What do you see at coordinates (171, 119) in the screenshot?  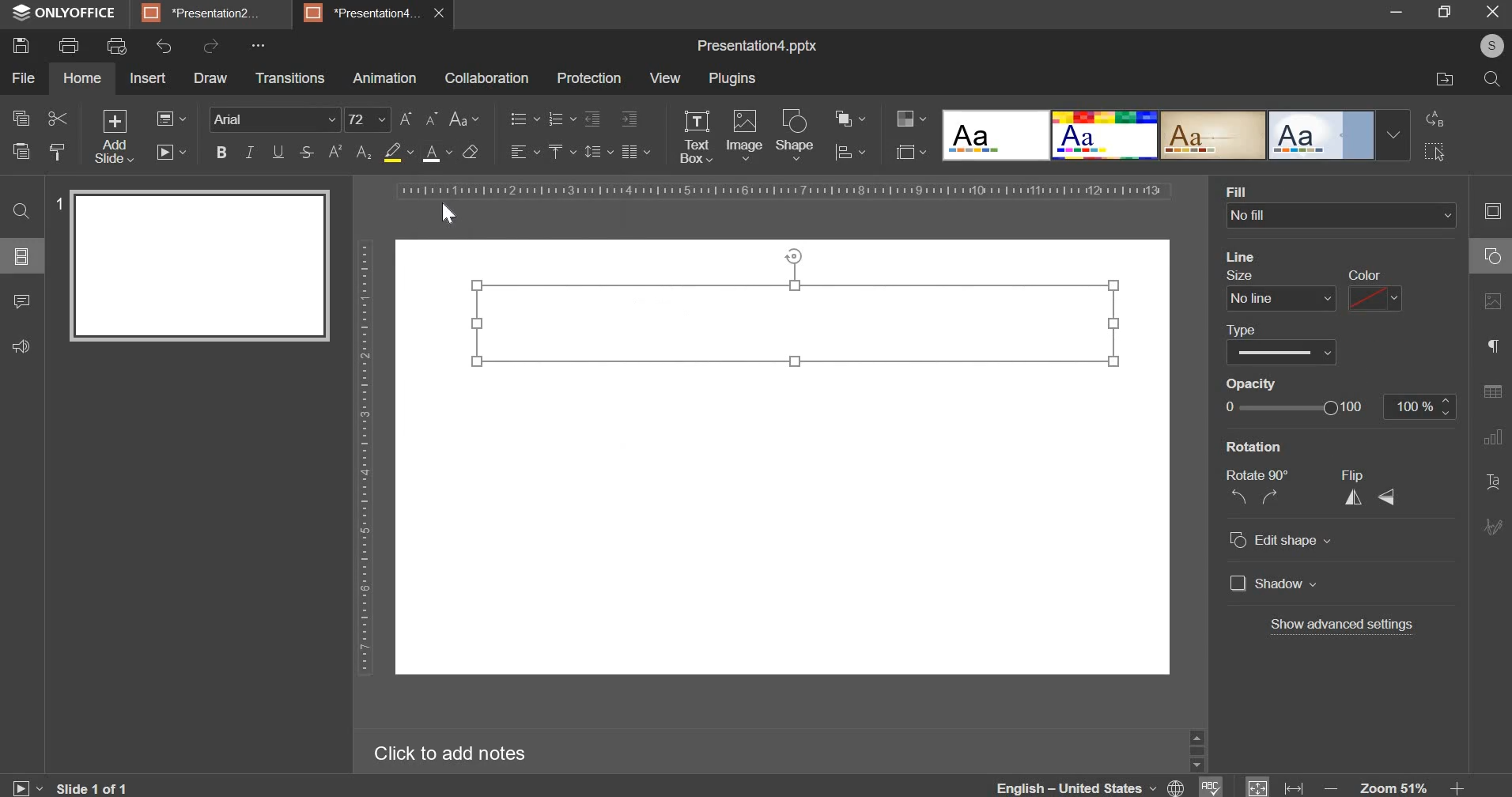 I see `change slide layout` at bounding box center [171, 119].